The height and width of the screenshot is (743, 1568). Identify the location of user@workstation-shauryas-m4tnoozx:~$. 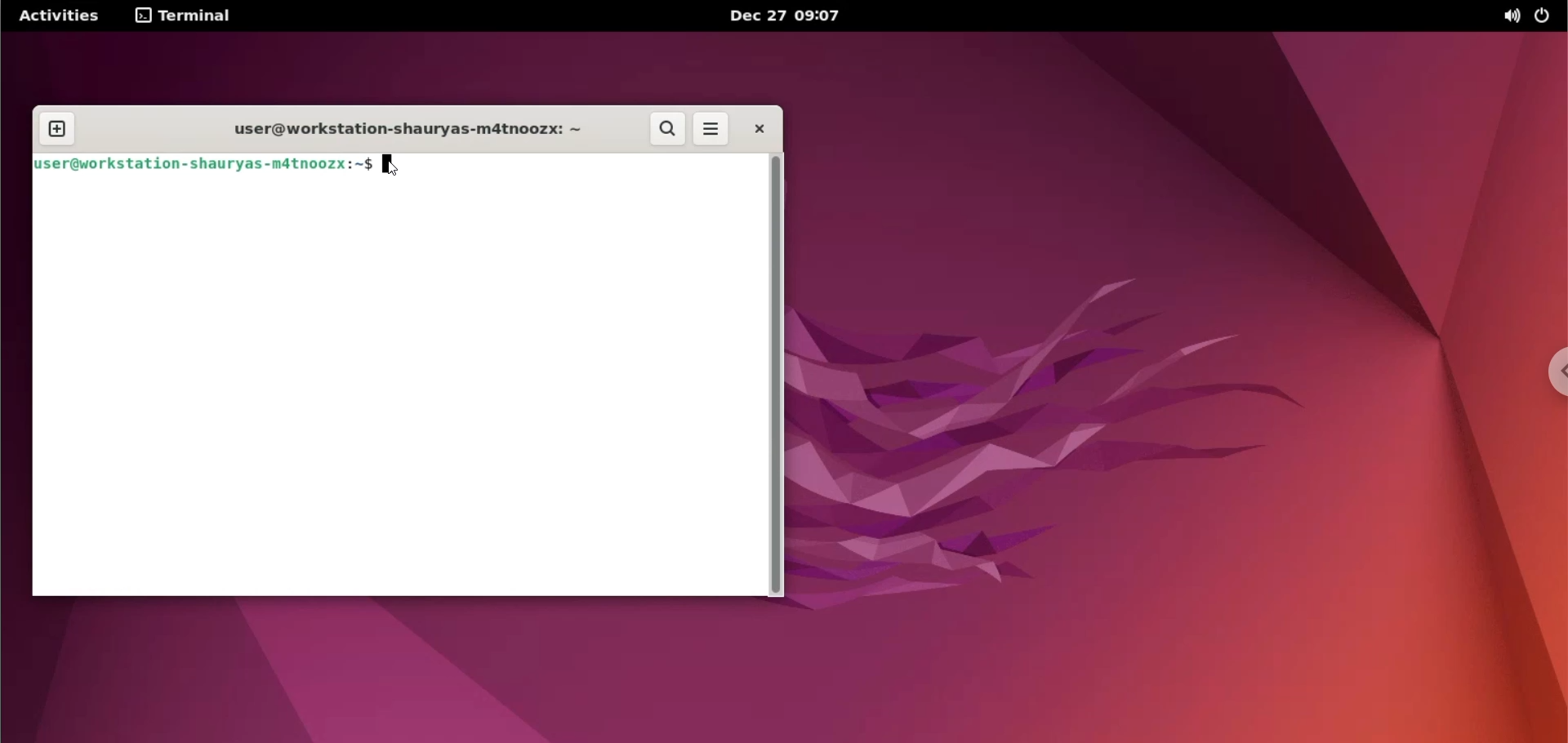
(203, 162).